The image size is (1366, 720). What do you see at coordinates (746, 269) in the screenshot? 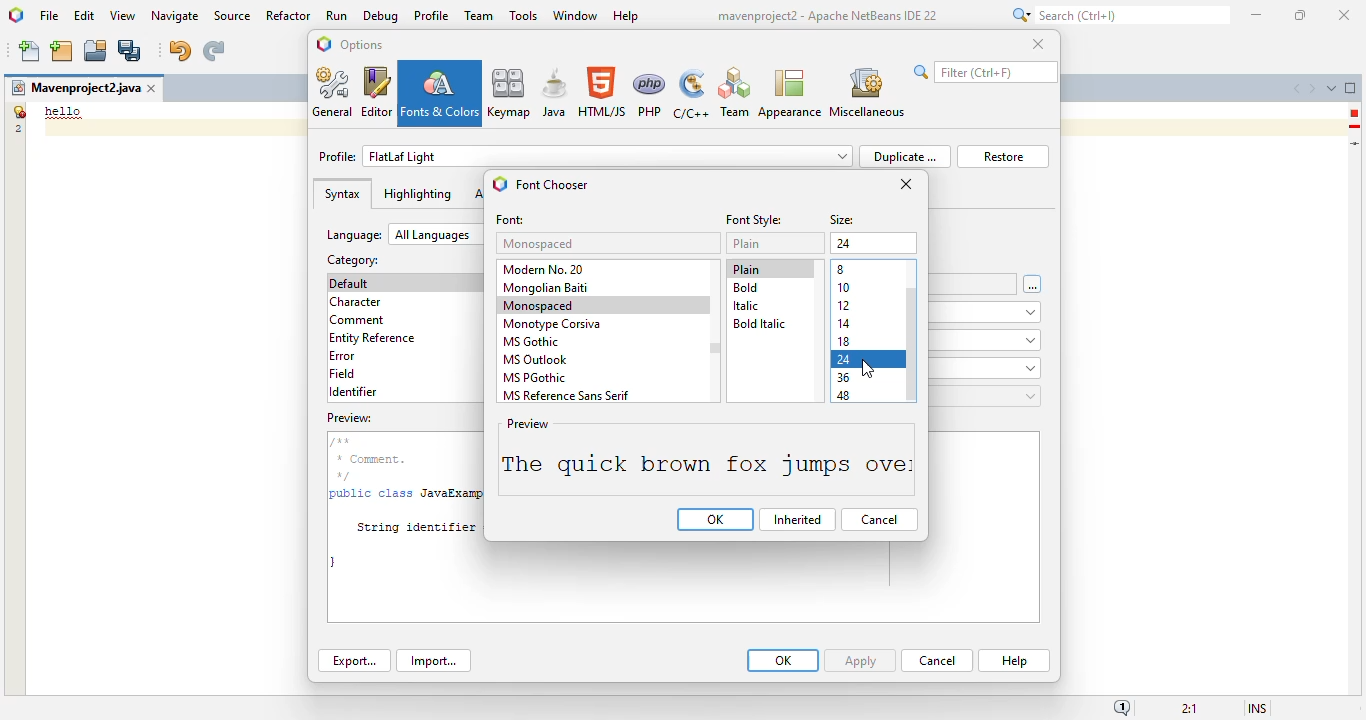
I see `plain` at bounding box center [746, 269].